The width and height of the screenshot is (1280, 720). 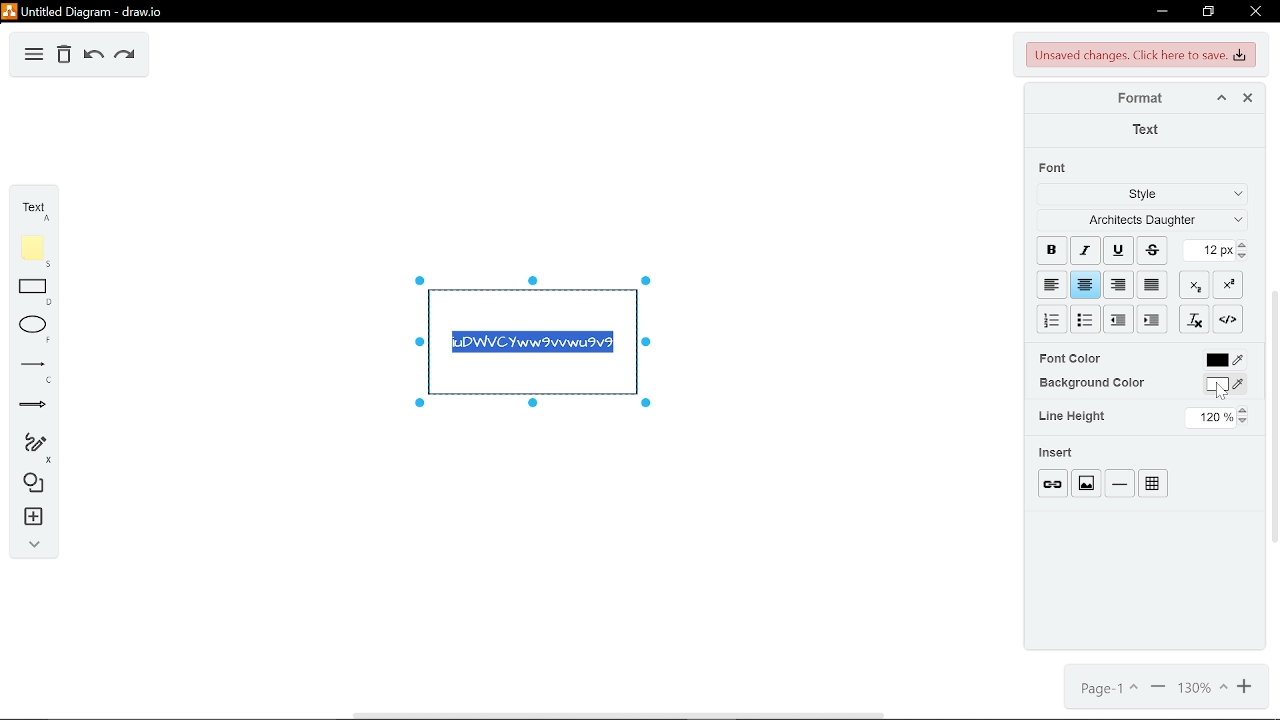 I want to click on bulleted list, so click(x=1087, y=319).